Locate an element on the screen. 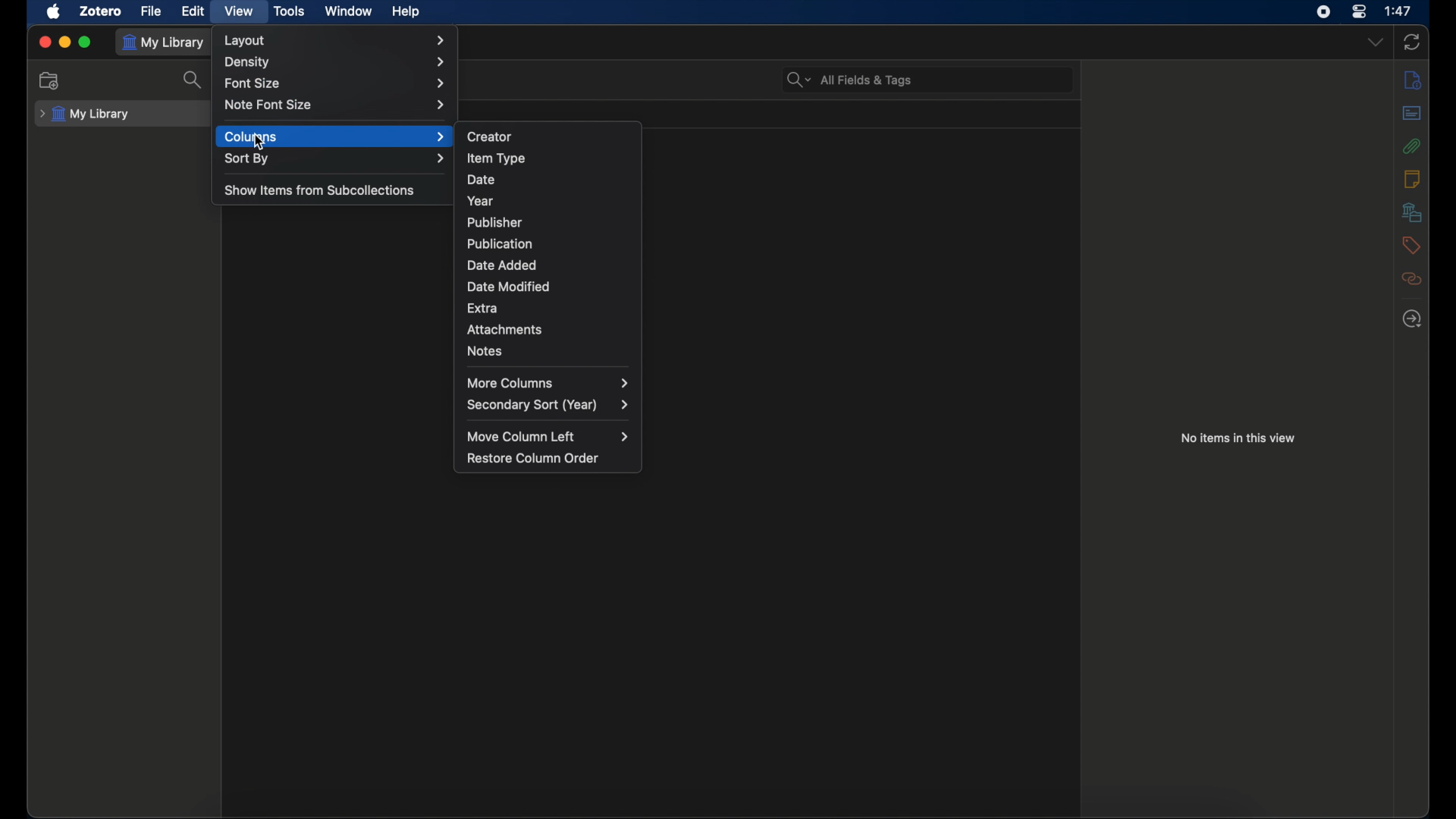 The height and width of the screenshot is (819, 1456). tools is located at coordinates (288, 11).